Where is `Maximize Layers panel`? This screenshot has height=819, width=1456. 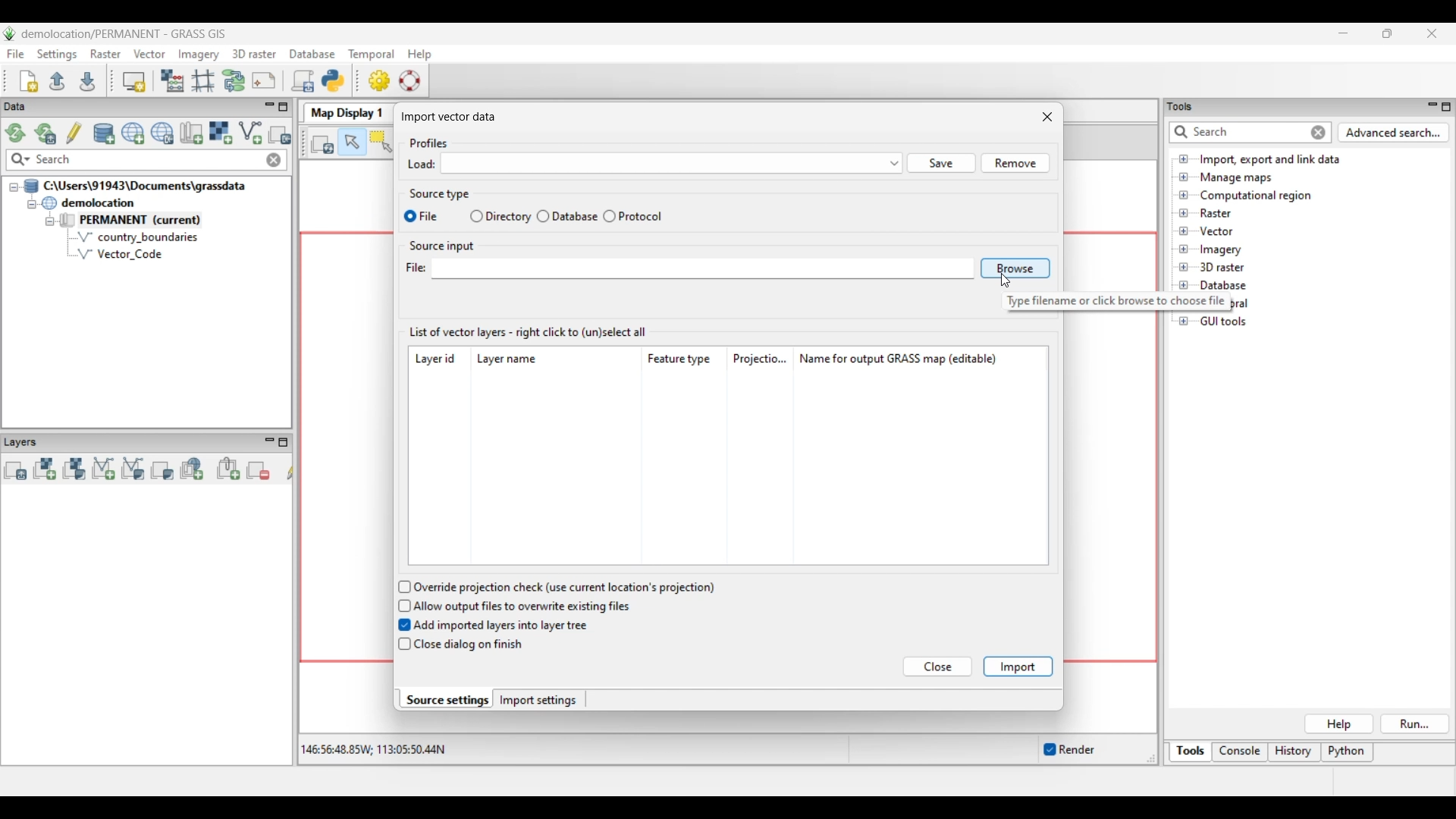
Maximize Layers panel is located at coordinates (284, 442).